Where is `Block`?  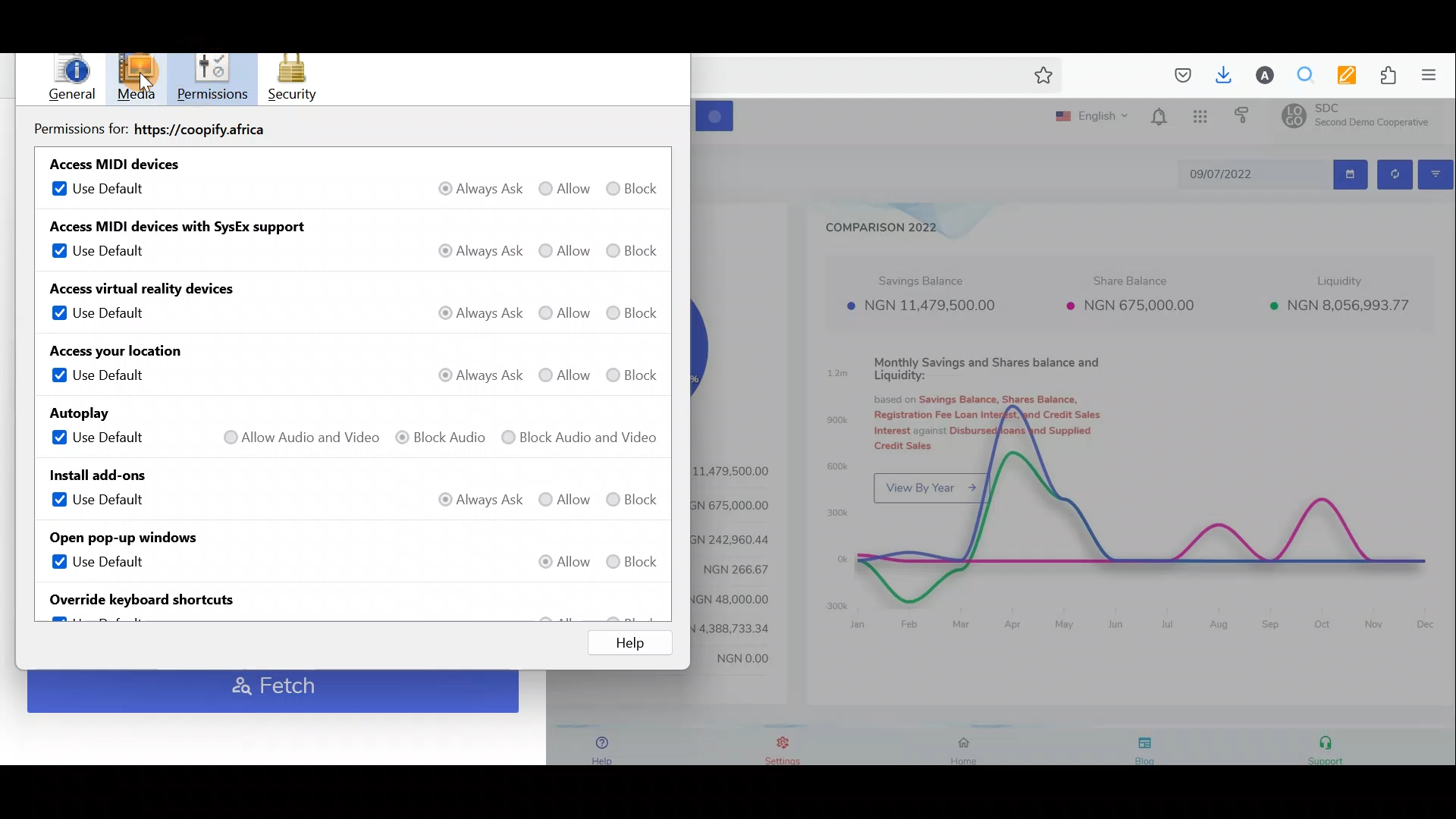
Block is located at coordinates (635, 312).